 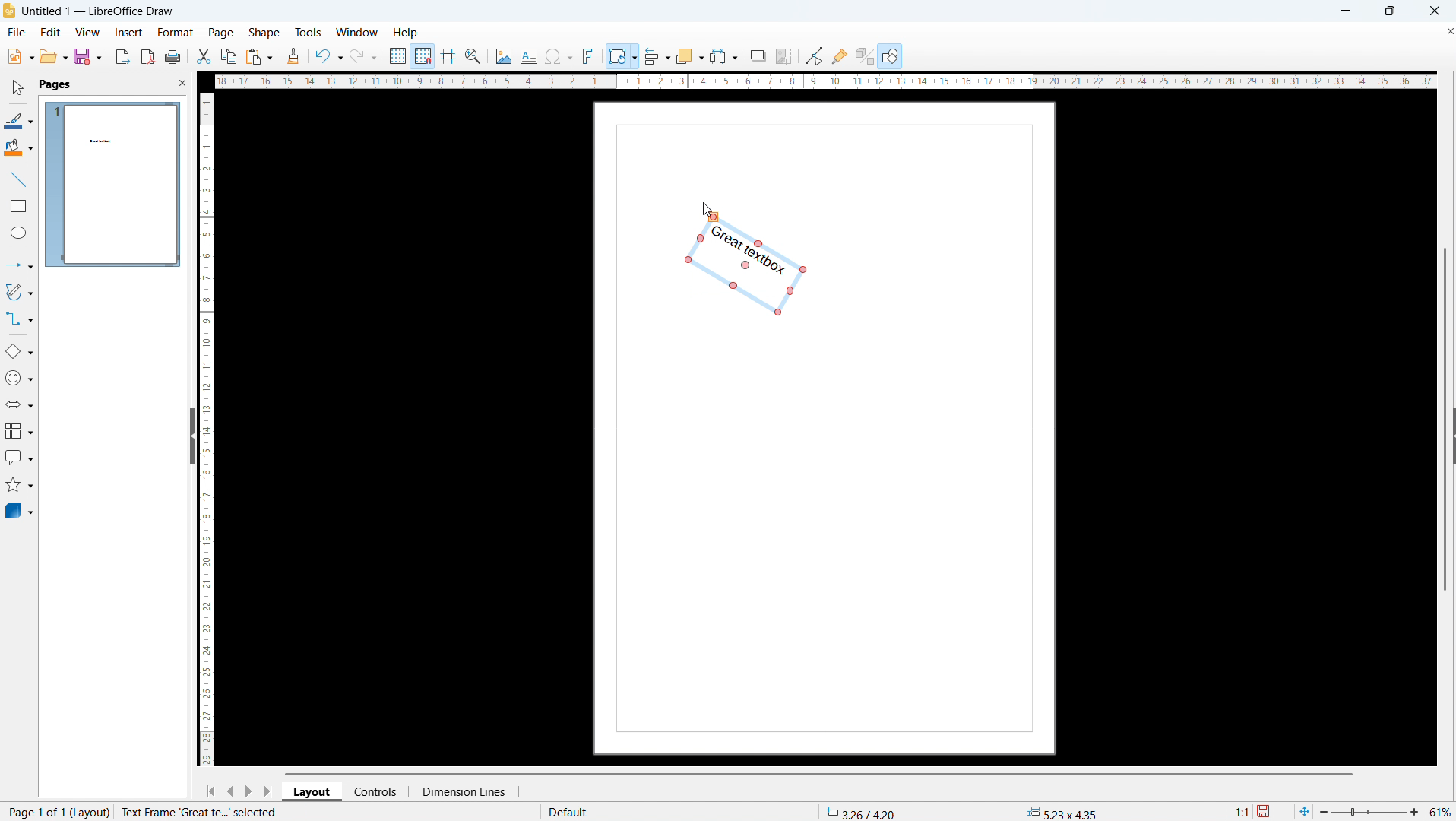 What do you see at coordinates (55, 813) in the screenshot?
I see `page number` at bounding box center [55, 813].